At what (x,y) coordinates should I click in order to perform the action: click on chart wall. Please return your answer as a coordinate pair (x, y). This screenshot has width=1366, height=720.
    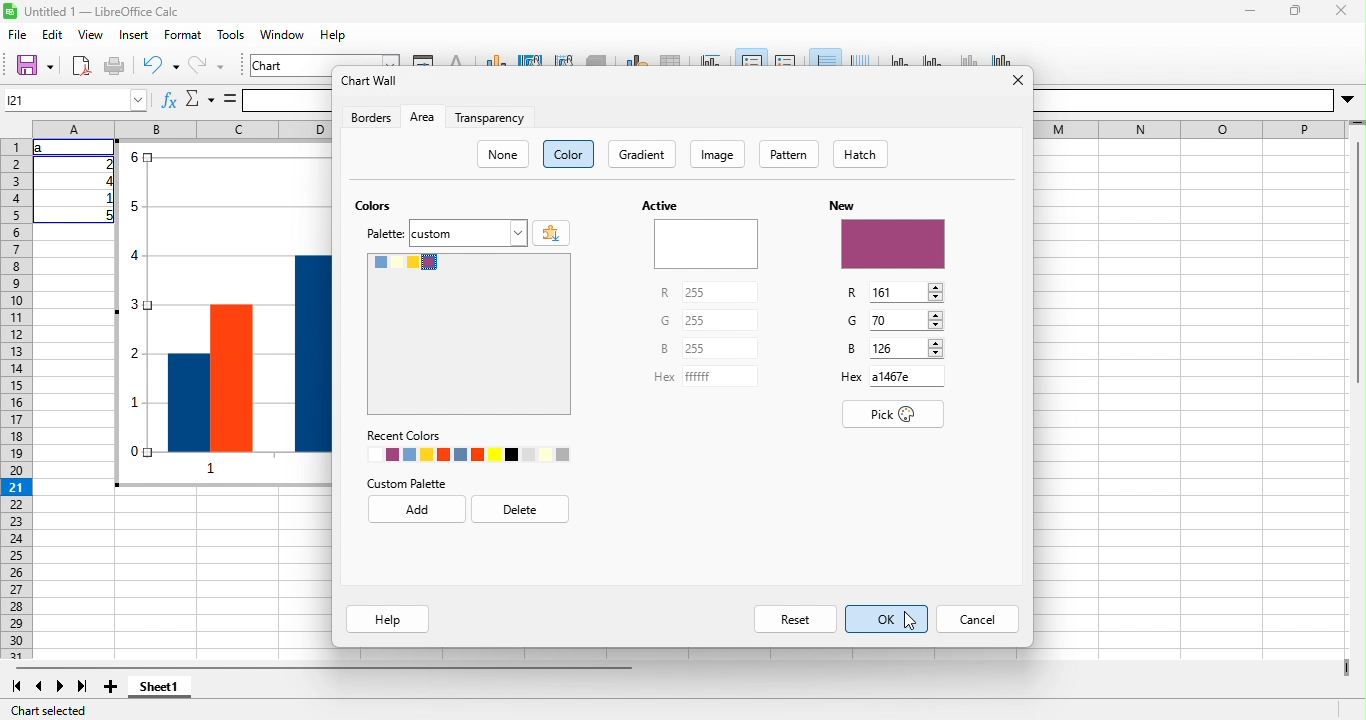
    Looking at the image, I should click on (564, 59).